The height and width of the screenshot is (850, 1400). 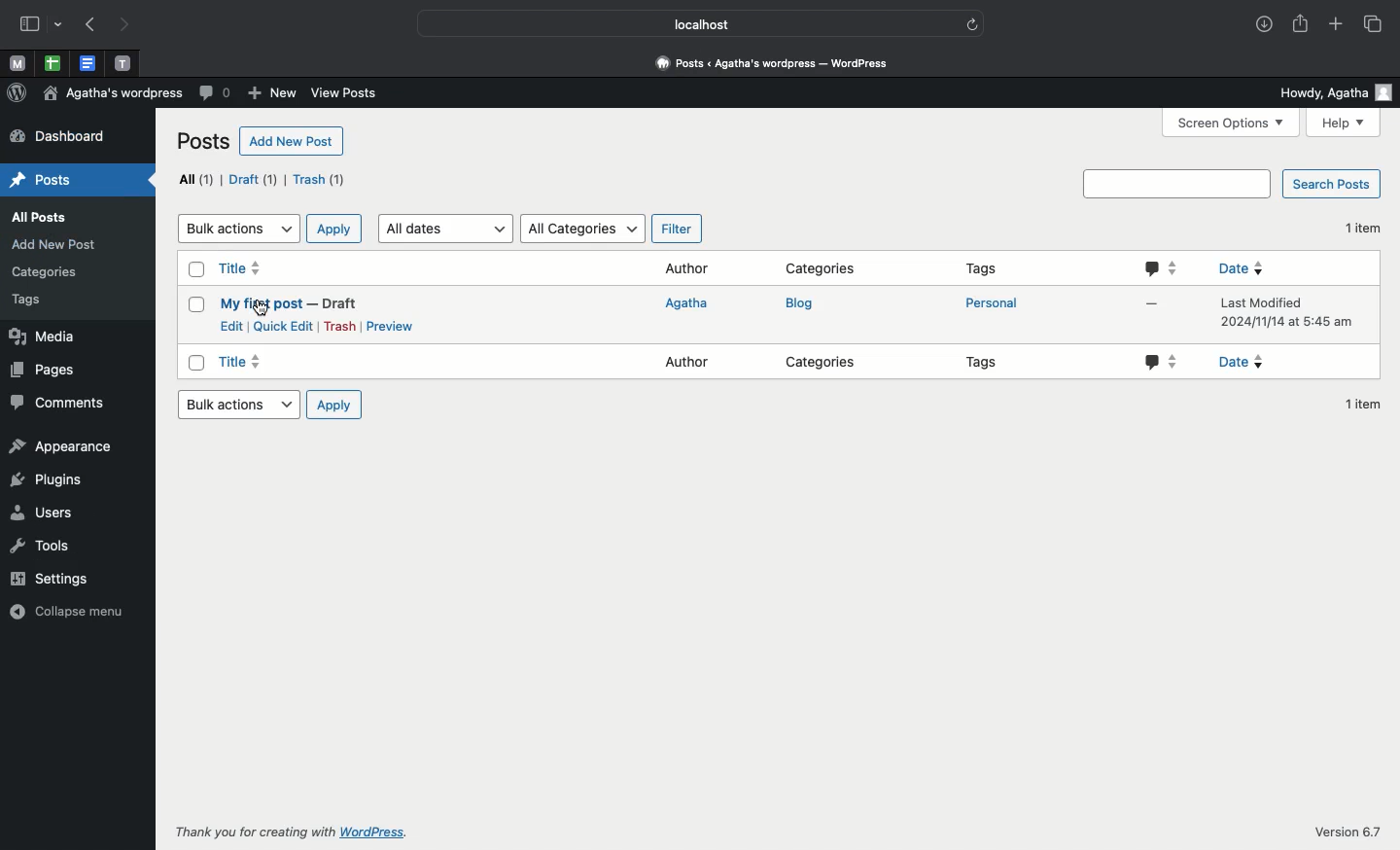 I want to click on Title, so click(x=241, y=269).